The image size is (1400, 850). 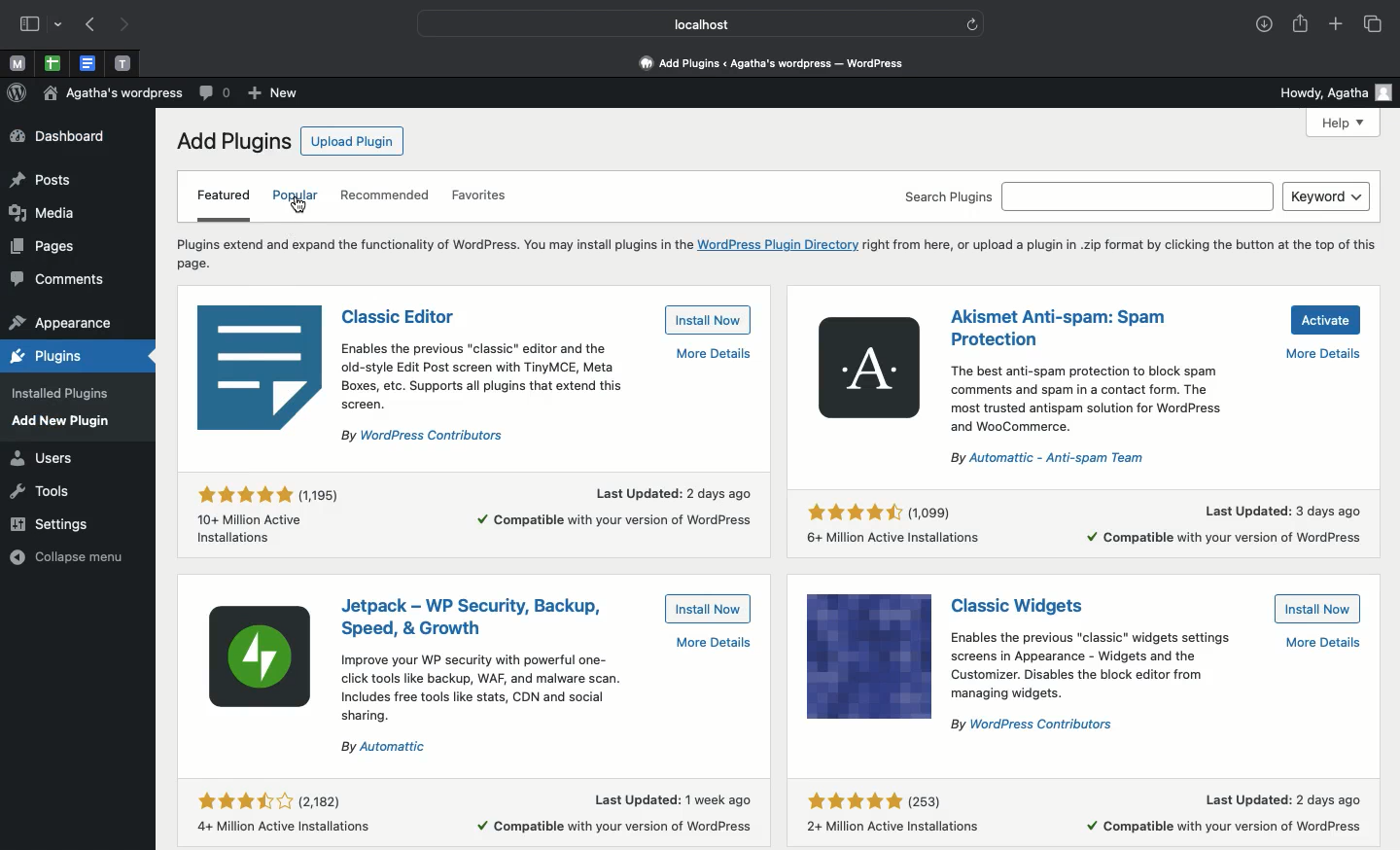 What do you see at coordinates (43, 246) in the screenshot?
I see `pages` at bounding box center [43, 246].